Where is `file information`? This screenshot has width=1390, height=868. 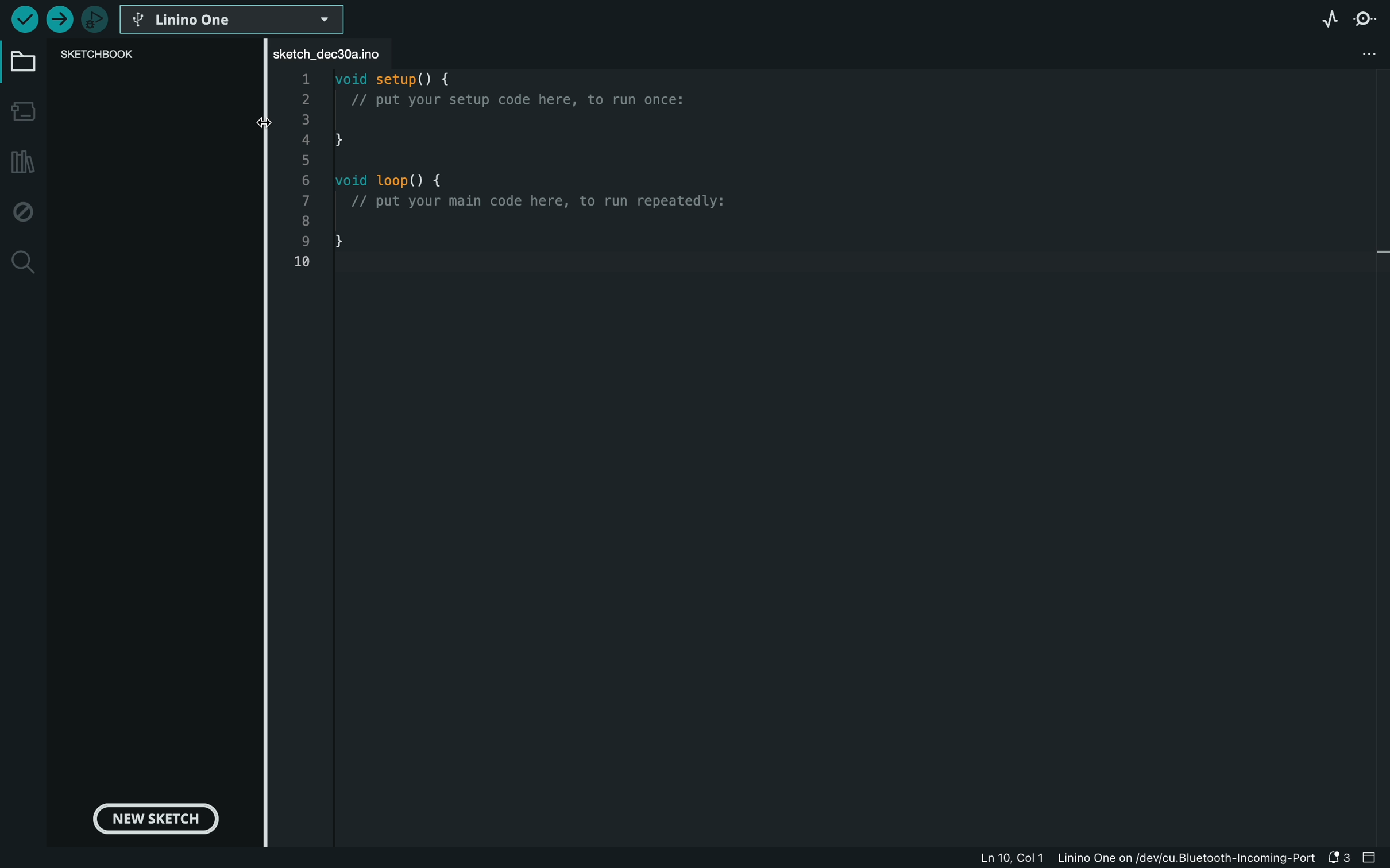 file information is located at coordinates (1142, 858).